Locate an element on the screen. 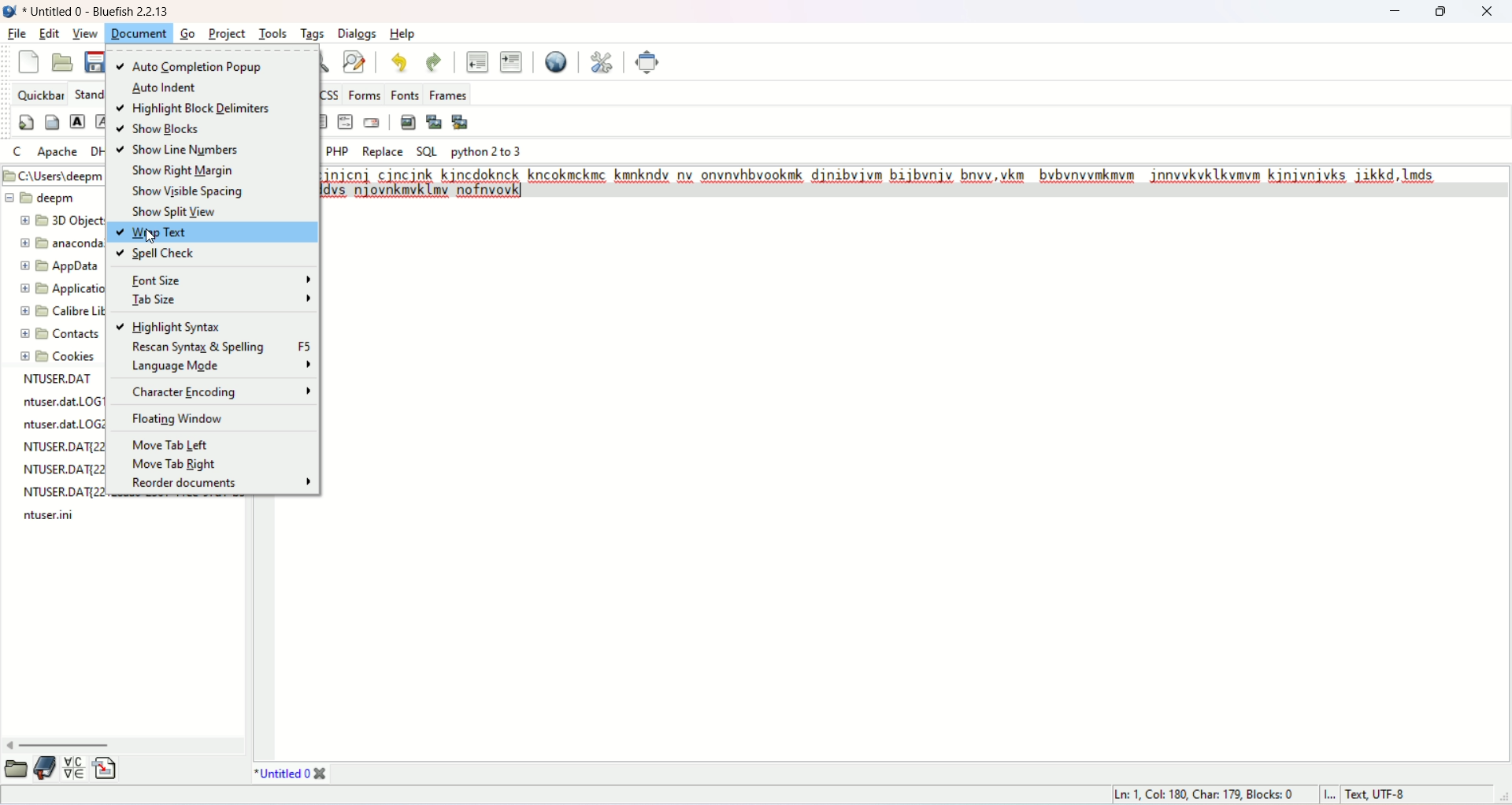 The height and width of the screenshot is (805, 1512). email is located at coordinates (372, 123).